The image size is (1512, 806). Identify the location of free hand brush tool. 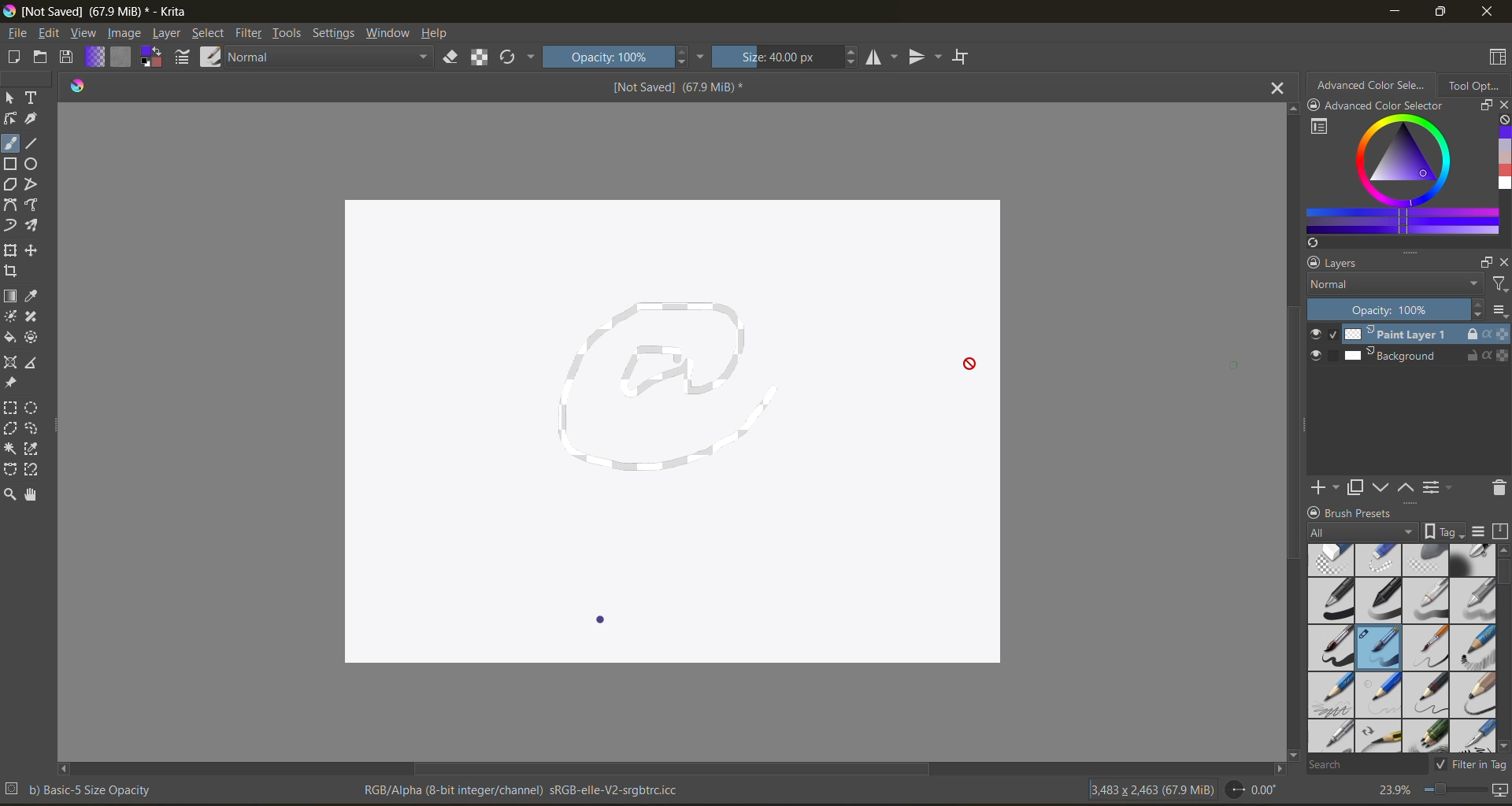
(10, 142).